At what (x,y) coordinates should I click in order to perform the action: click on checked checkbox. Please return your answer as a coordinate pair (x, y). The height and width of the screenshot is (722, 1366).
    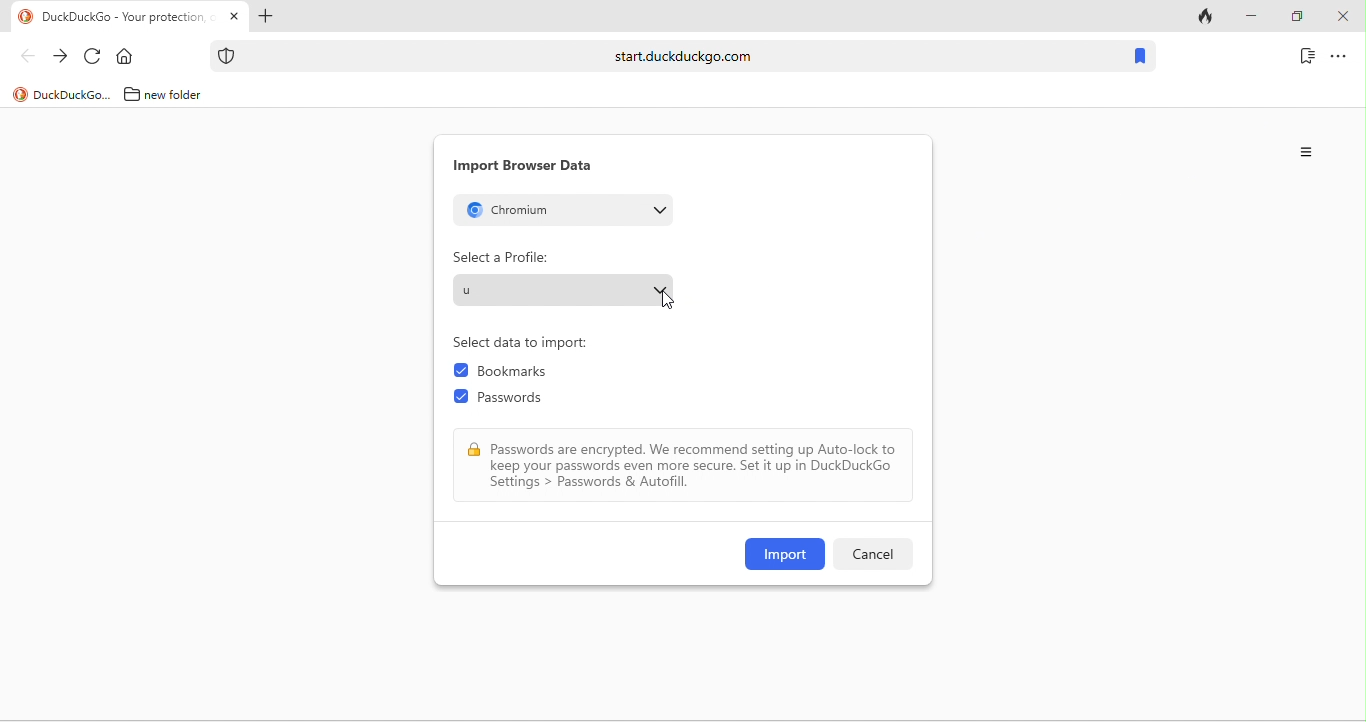
    Looking at the image, I should click on (461, 397).